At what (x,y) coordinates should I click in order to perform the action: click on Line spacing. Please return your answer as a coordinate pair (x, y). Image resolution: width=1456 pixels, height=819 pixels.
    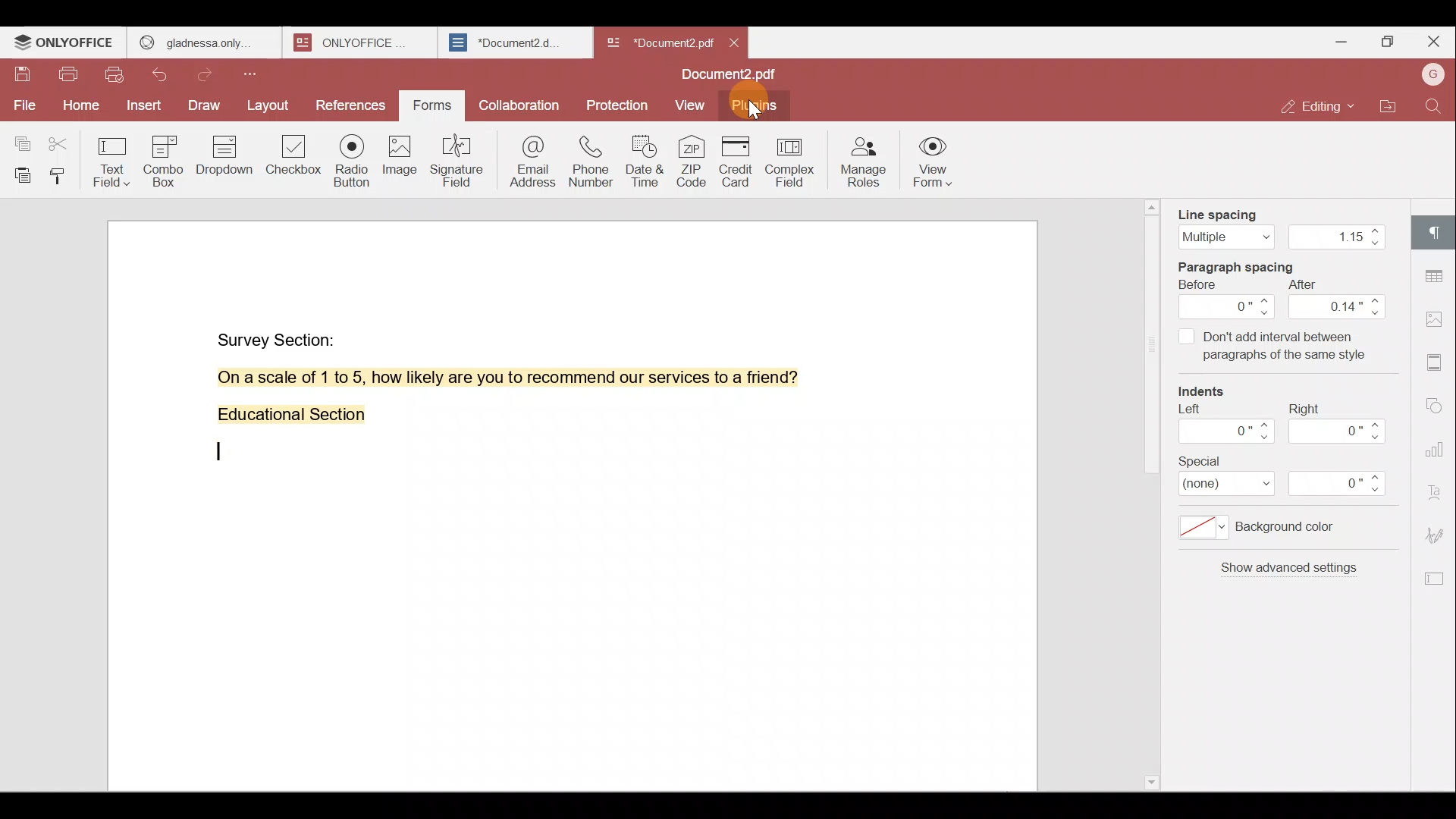
    Looking at the image, I should click on (1279, 224).